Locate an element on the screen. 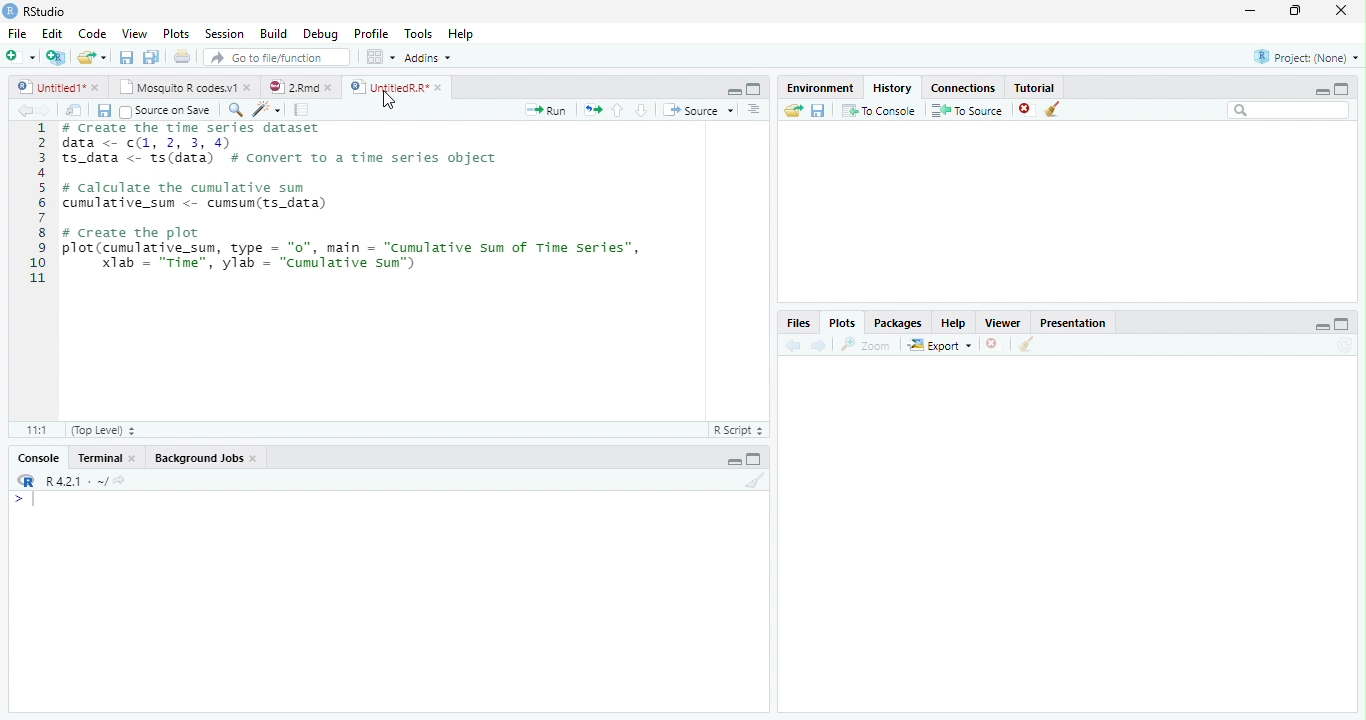 The width and height of the screenshot is (1366, 720). pages is located at coordinates (299, 112).